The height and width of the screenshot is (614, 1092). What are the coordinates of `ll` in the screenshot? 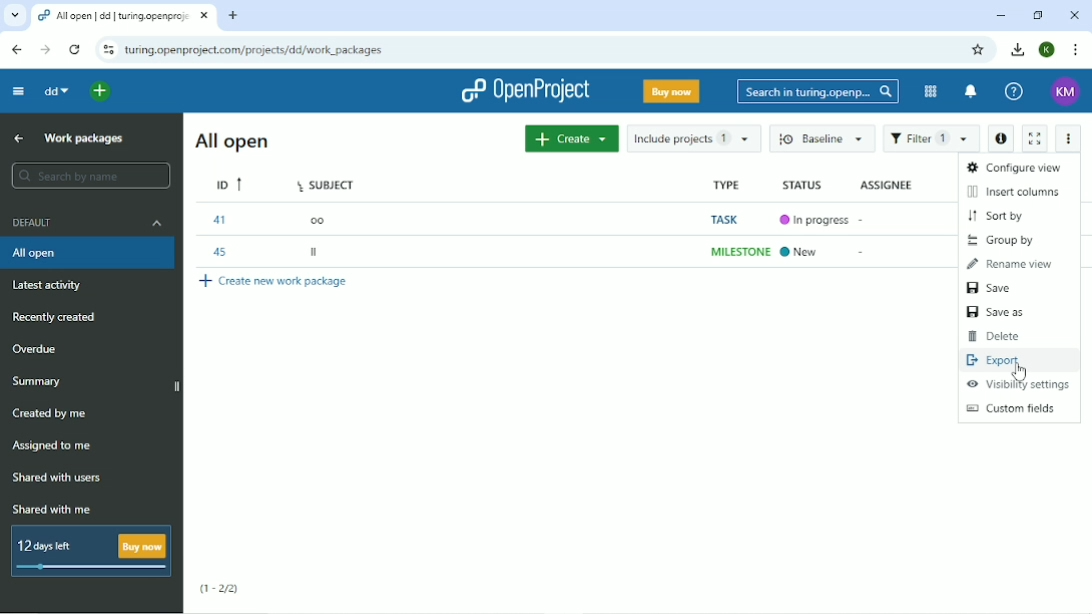 It's located at (317, 251).